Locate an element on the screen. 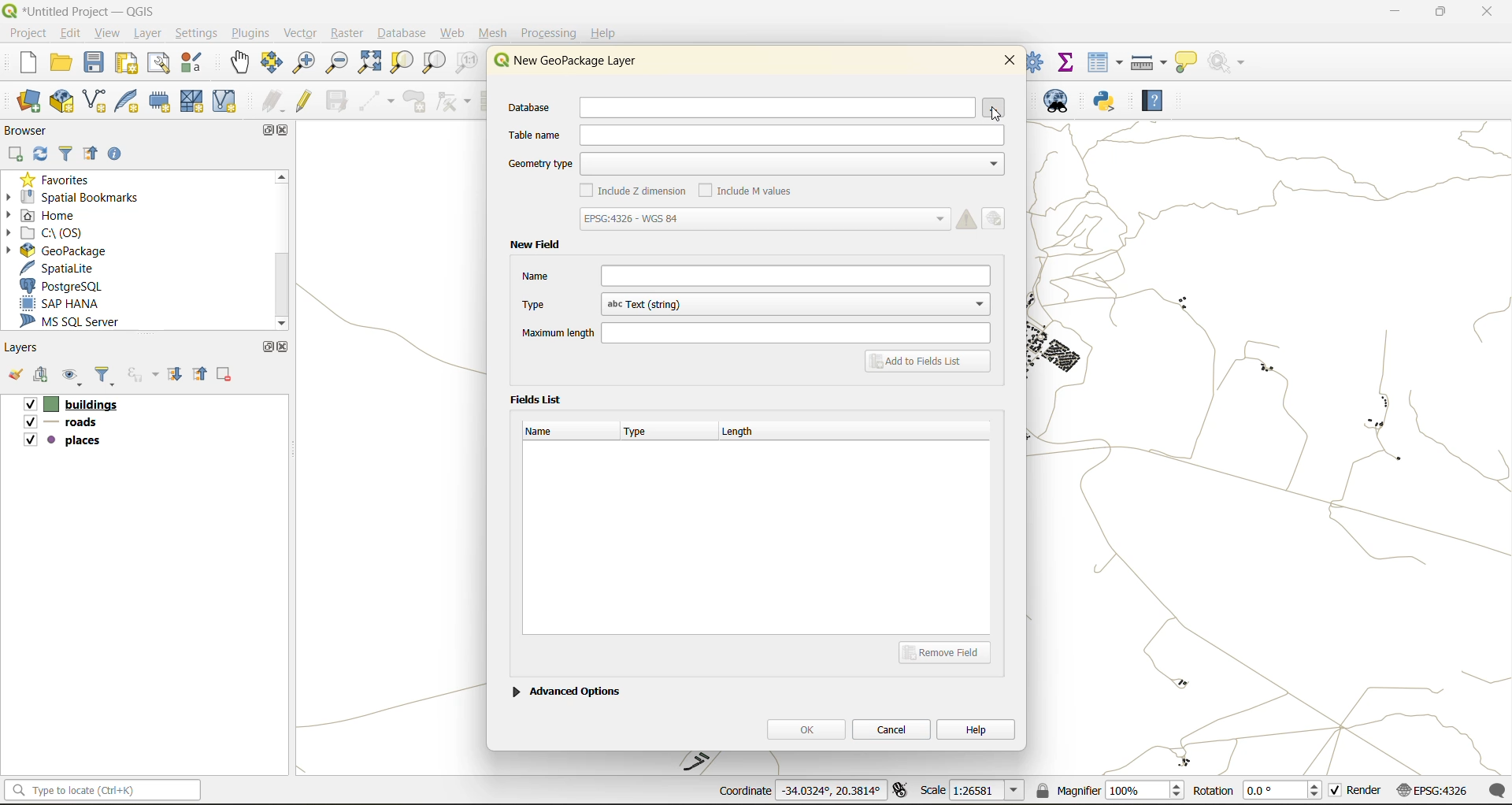 This screenshot has height=805, width=1512. close is located at coordinates (1479, 13).